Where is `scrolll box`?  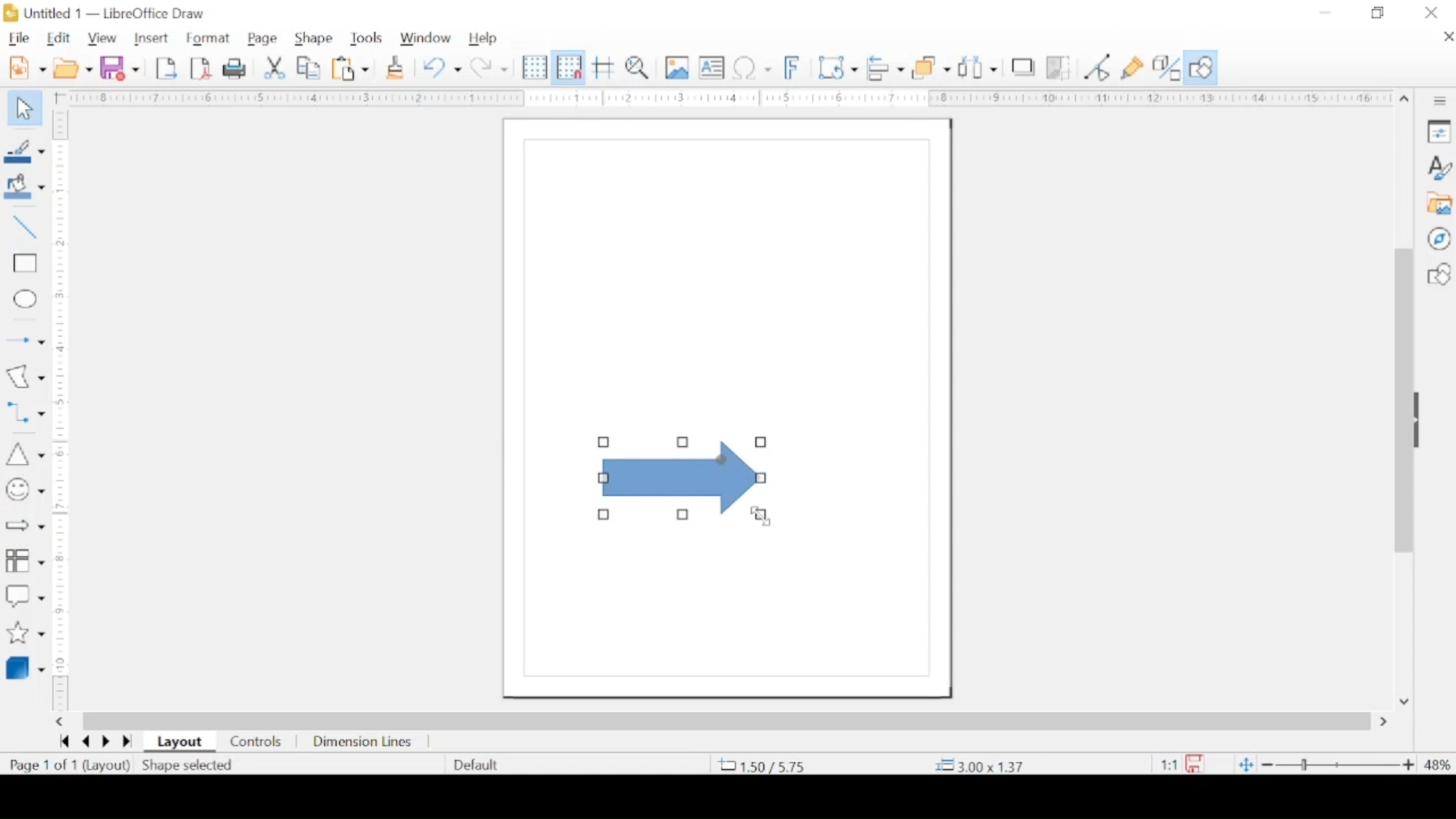
scrolll box is located at coordinates (1401, 399).